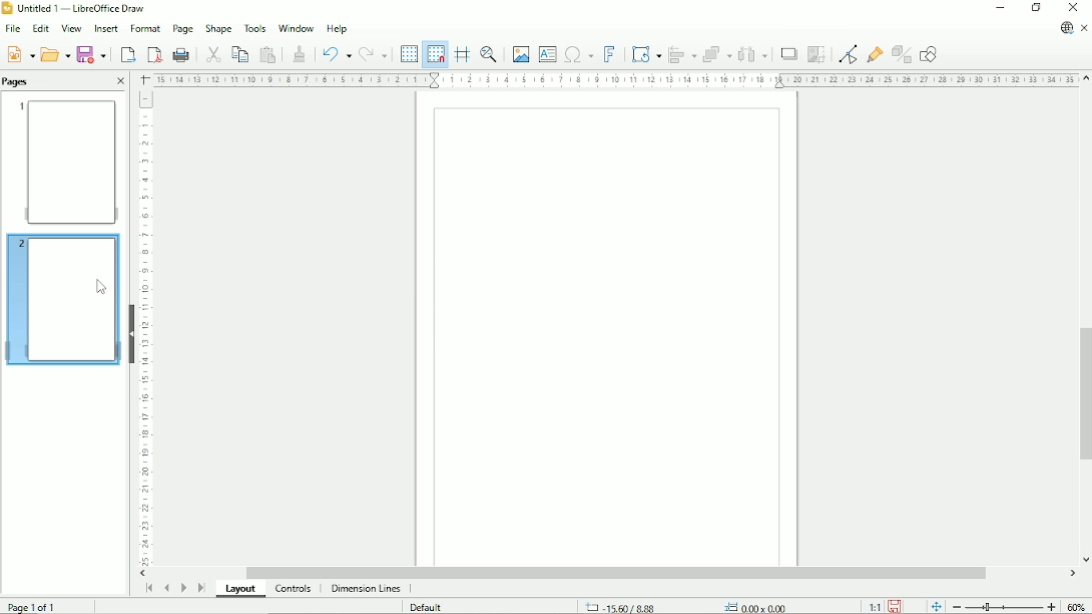 This screenshot has height=614, width=1092. What do you see at coordinates (434, 54) in the screenshot?
I see `Snap to grid` at bounding box center [434, 54].